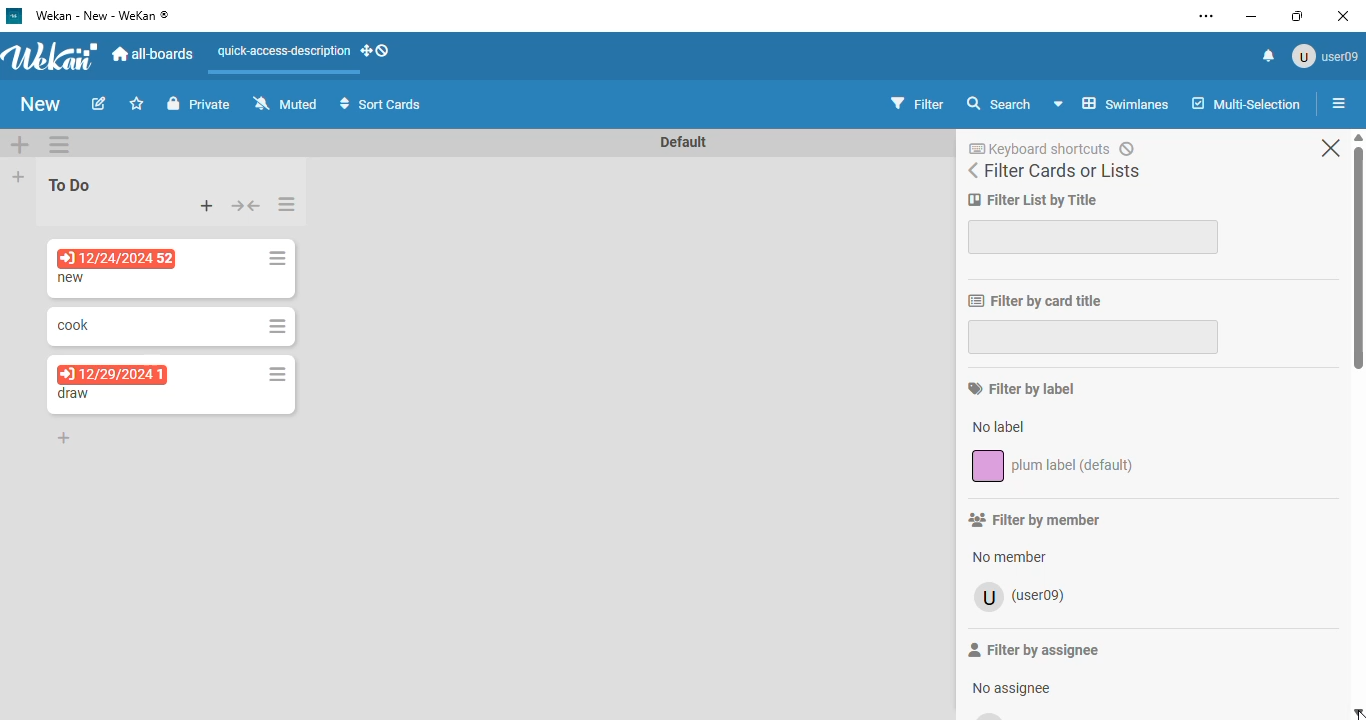 The height and width of the screenshot is (720, 1366). Describe the element at coordinates (71, 184) in the screenshot. I see `To Do` at that location.